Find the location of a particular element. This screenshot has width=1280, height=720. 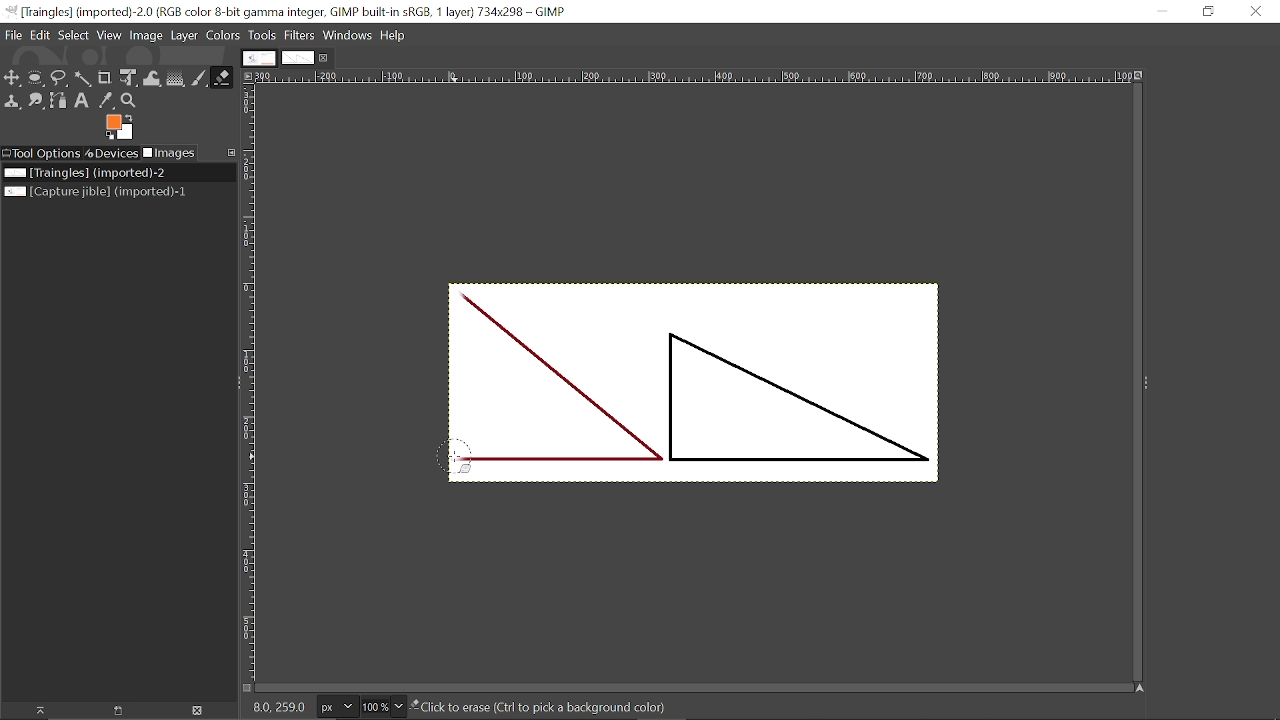

Close current tab is located at coordinates (325, 58).